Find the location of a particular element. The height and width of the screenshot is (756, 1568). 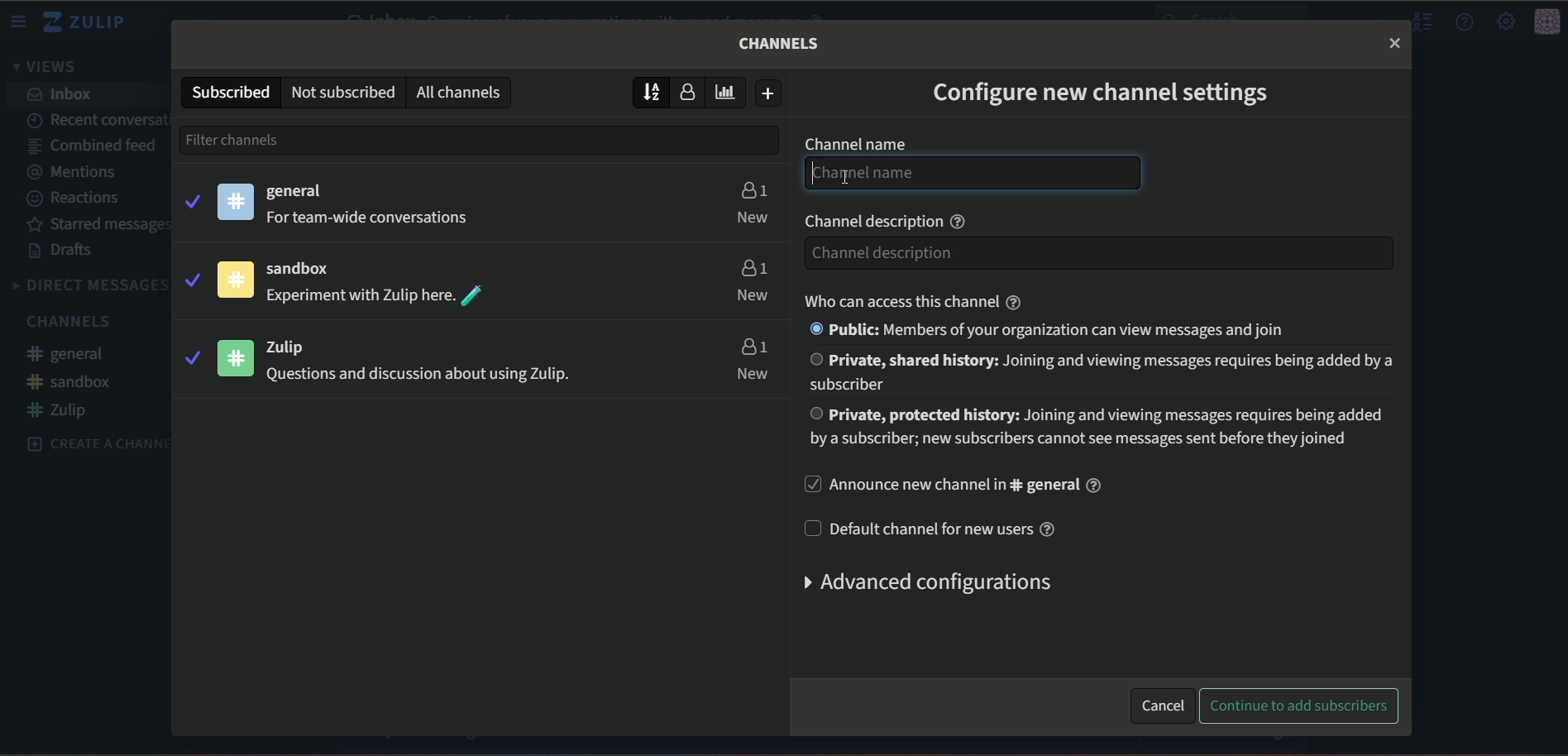

sandbox is located at coordinates (308, 270).